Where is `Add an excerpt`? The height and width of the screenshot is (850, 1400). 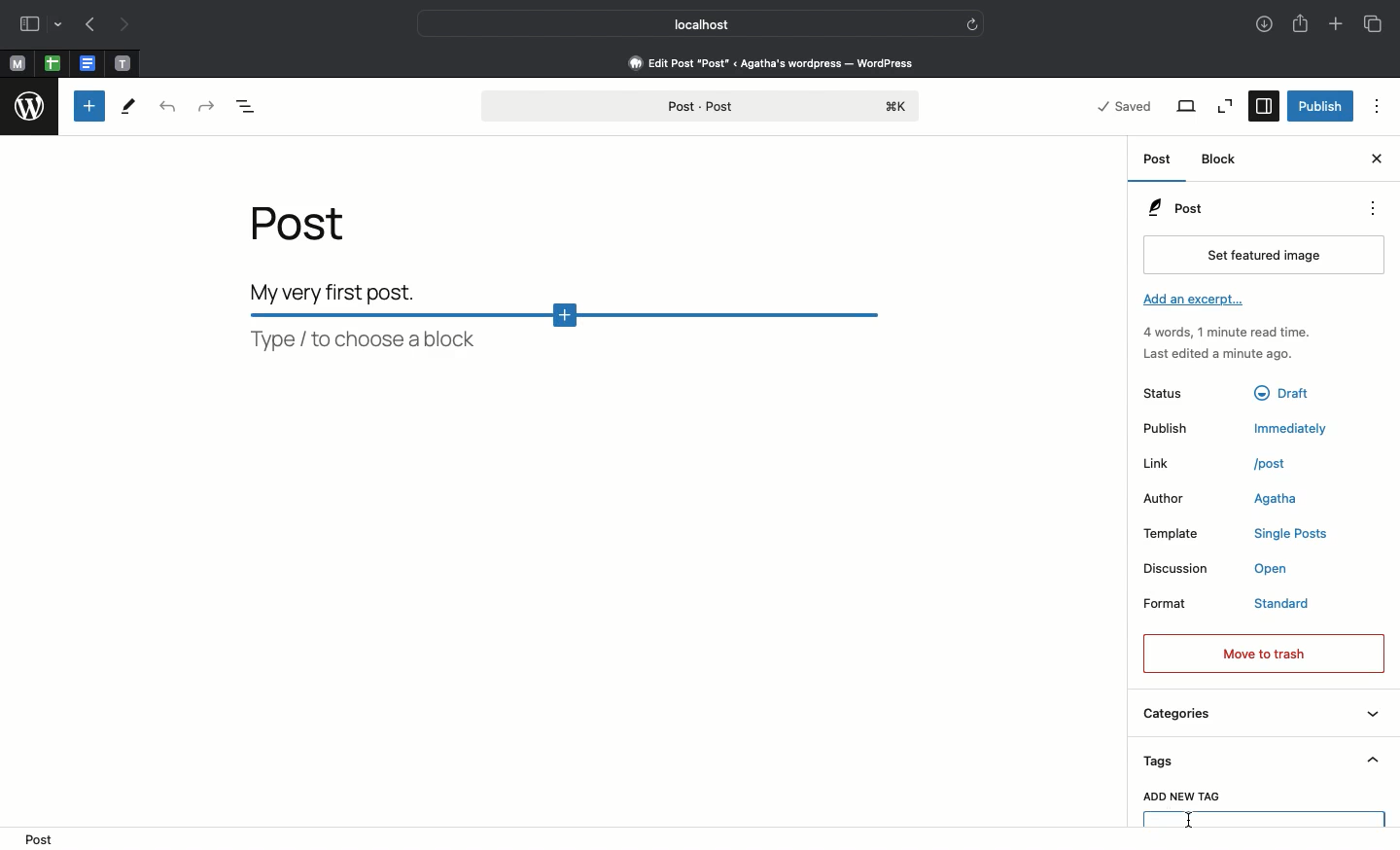
Add an excerpt is located at coordinates (1203, 301).